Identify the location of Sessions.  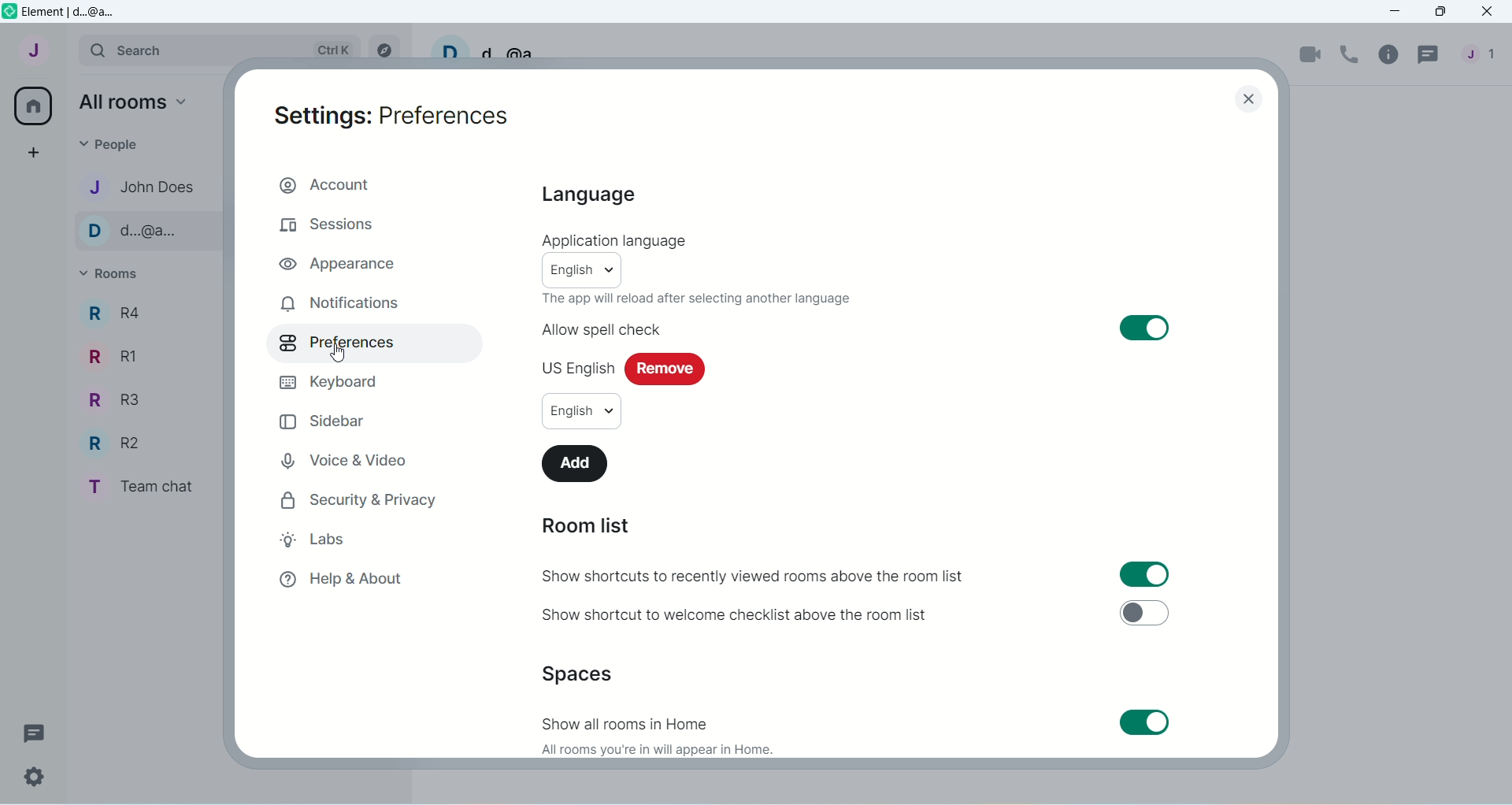
(354, 223).